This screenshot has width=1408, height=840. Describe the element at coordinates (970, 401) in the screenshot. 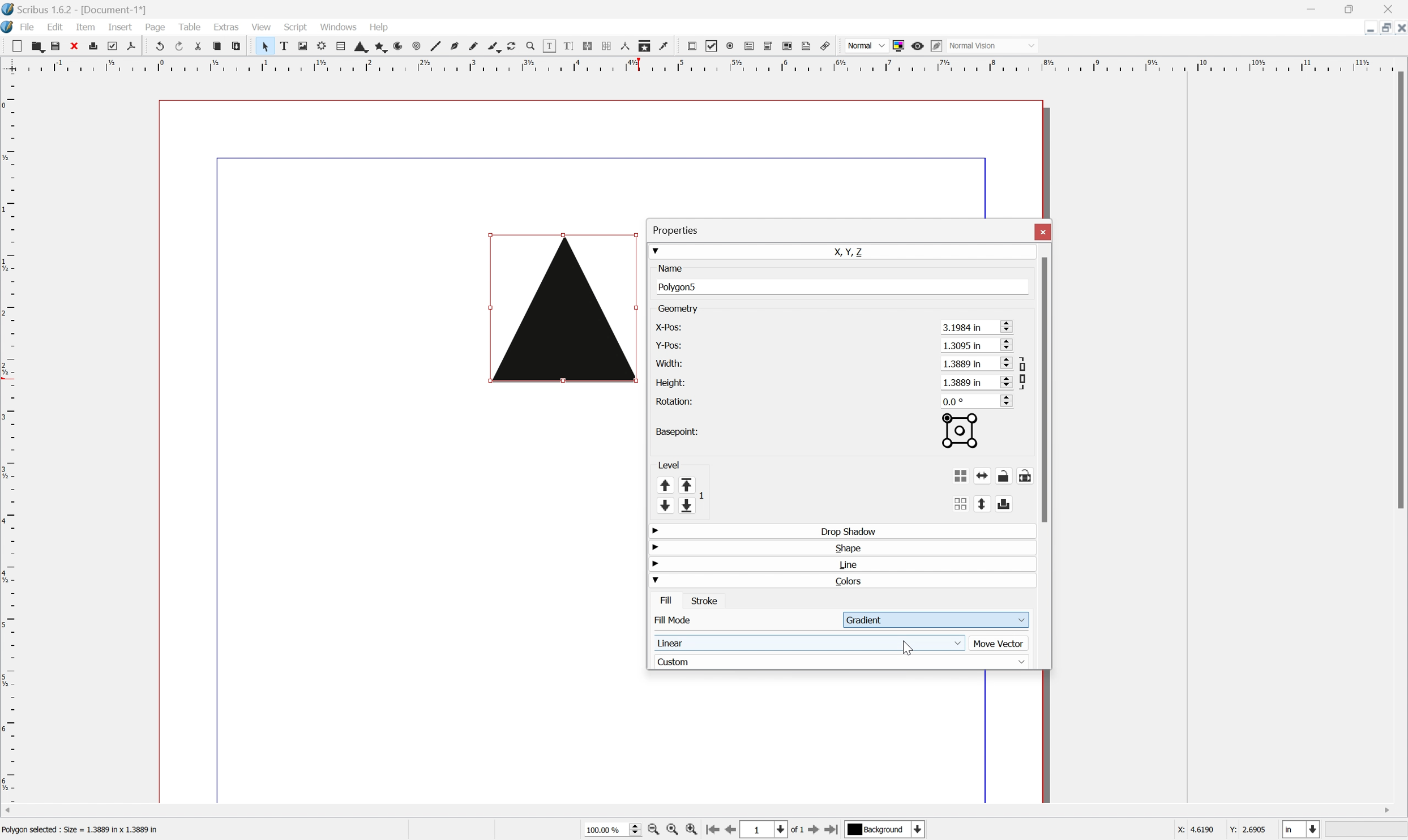

I see `0.0°` at that location.